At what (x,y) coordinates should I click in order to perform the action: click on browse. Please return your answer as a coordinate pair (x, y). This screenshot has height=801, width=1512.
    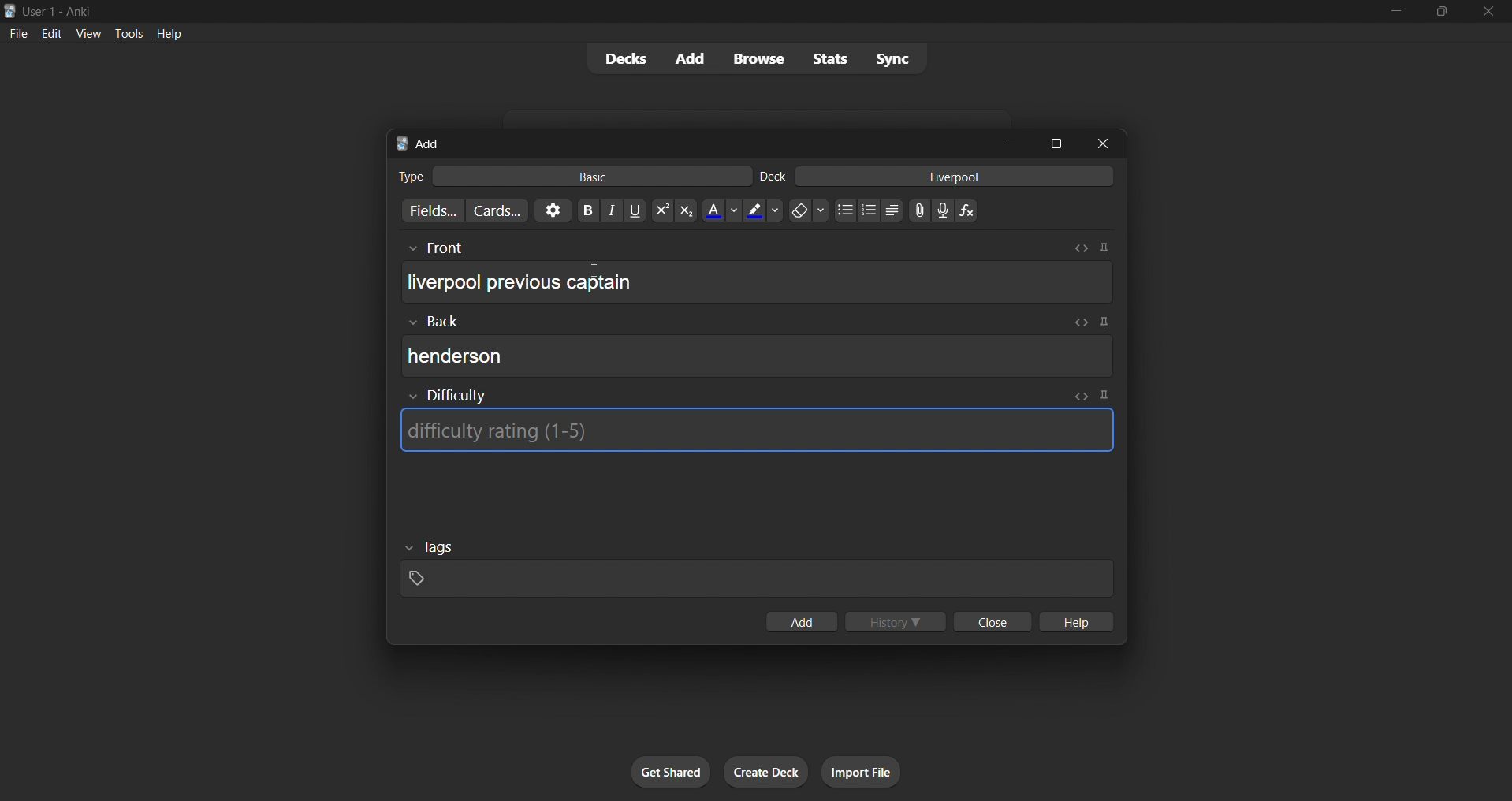
    Looking at the image, I should click on (755, 58).